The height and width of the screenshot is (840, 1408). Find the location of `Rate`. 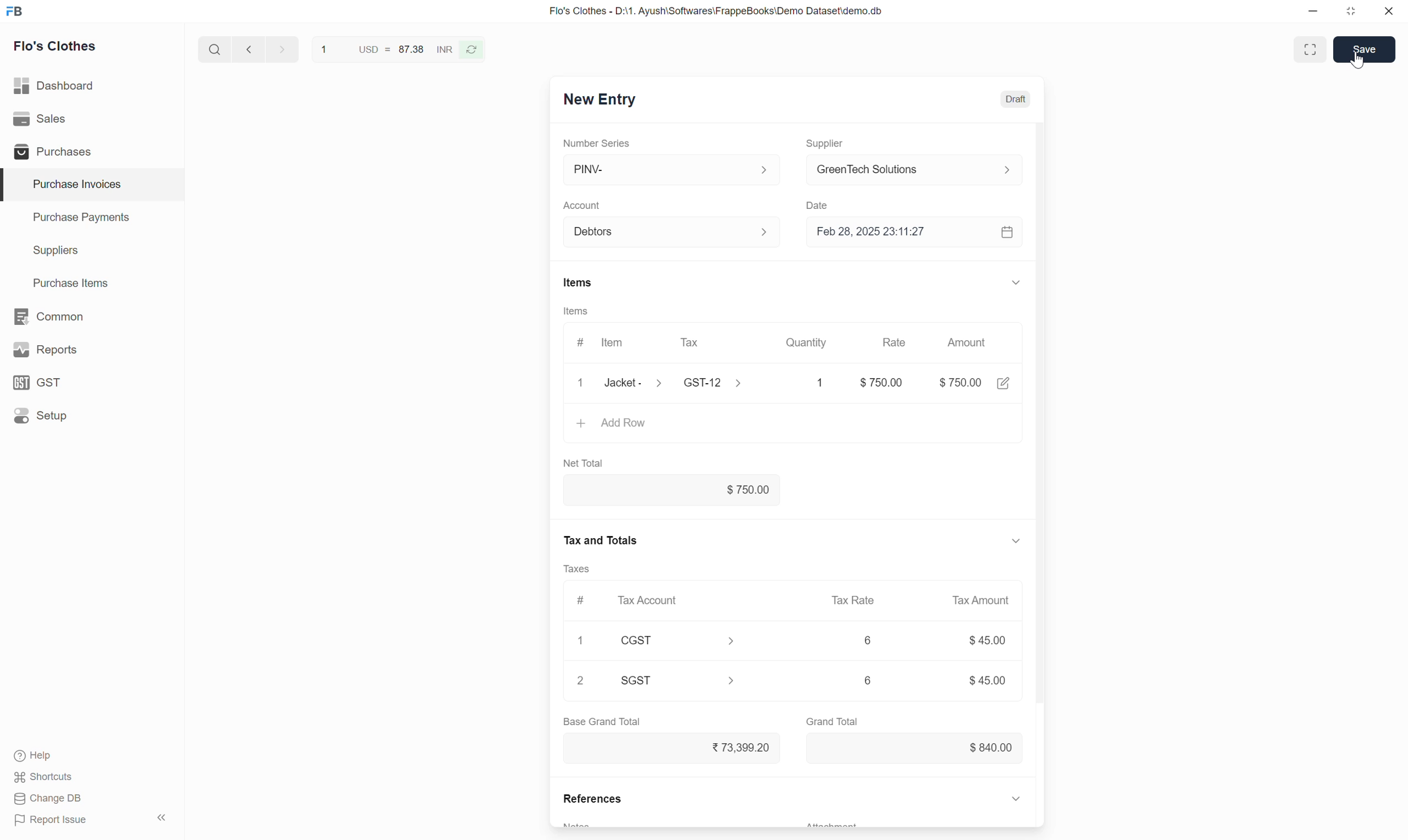

Rate is located at coordinates (896, 338).